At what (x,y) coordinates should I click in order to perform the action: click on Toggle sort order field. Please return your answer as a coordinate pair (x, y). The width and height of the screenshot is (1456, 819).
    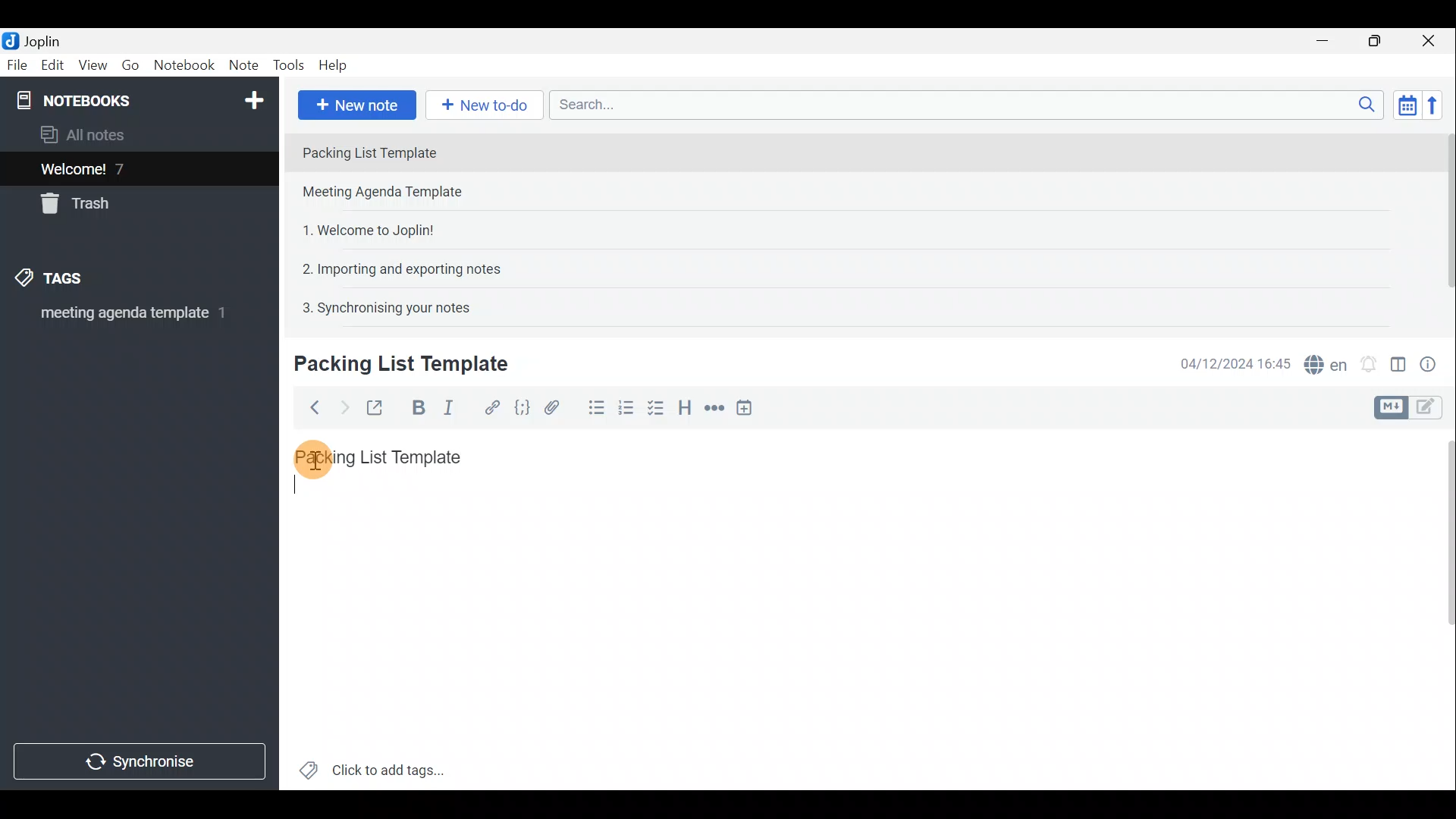
    Looking at the image, I should click on (1402, 105).